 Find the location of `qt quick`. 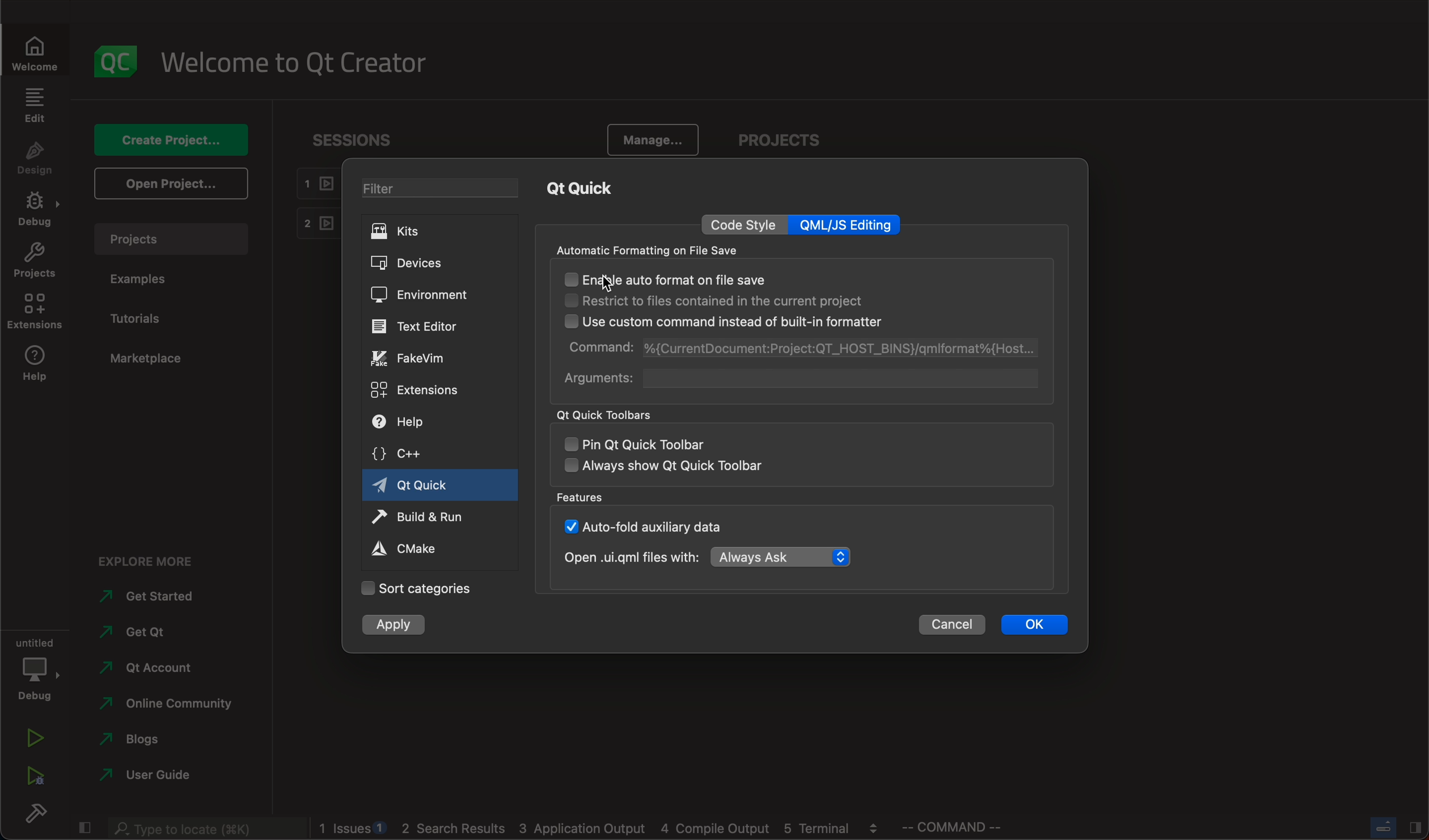

qt quick is located at coordinates (584, 188).